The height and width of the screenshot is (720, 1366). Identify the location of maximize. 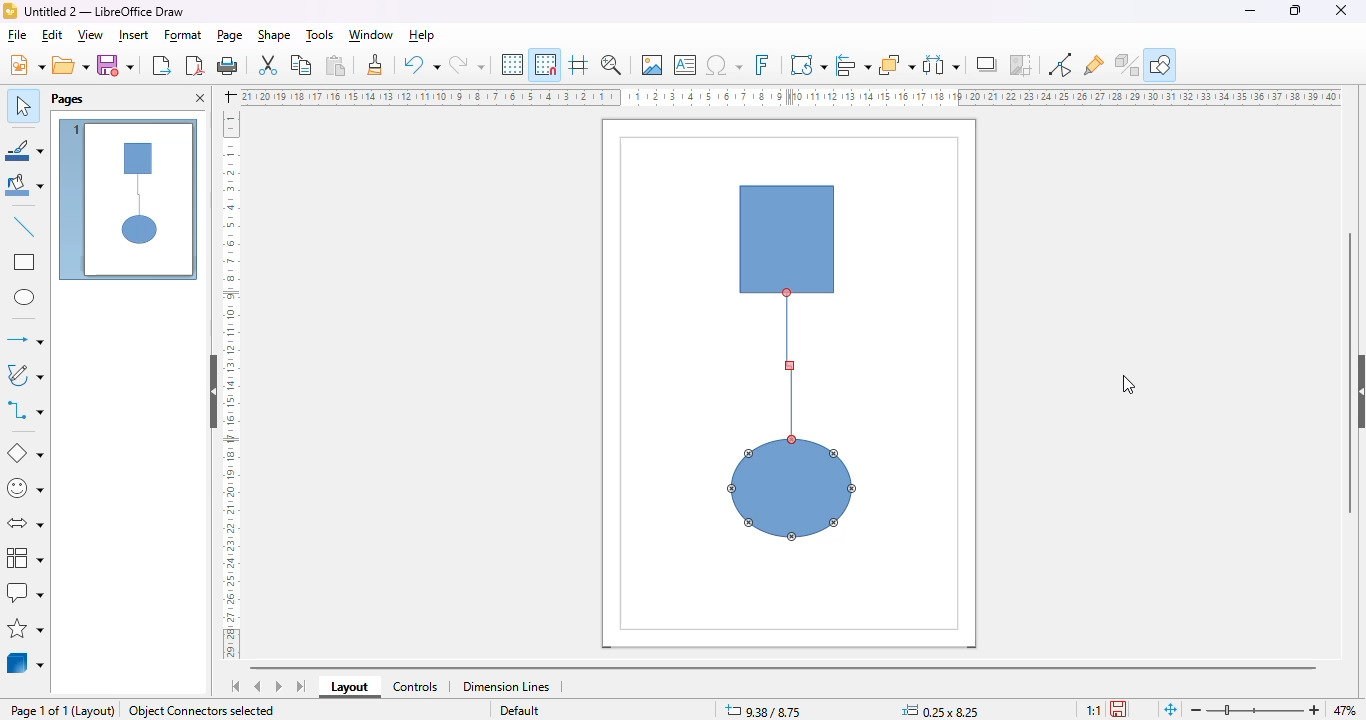
(1295, 10).